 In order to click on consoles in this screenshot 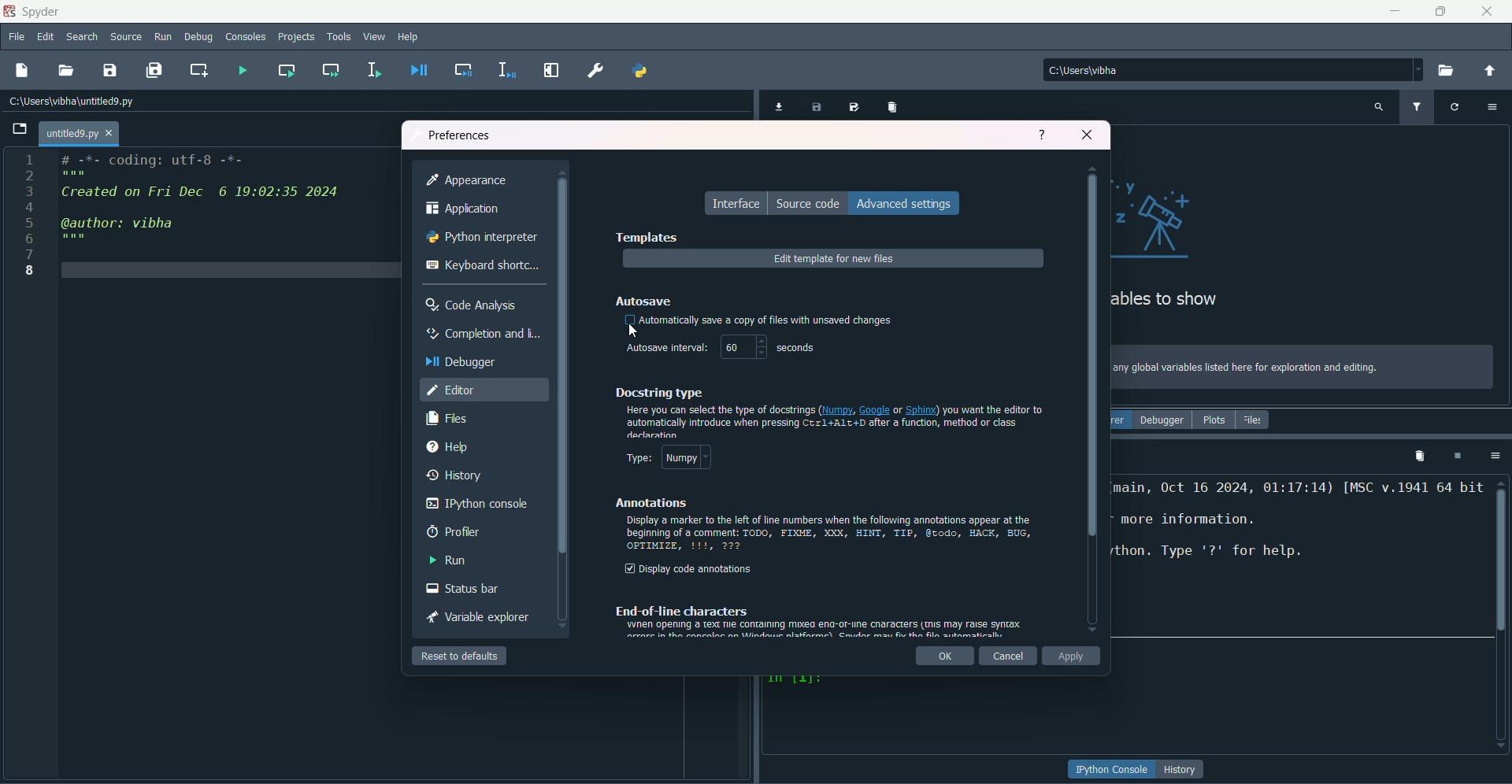, I will do `click(246, 36)`.